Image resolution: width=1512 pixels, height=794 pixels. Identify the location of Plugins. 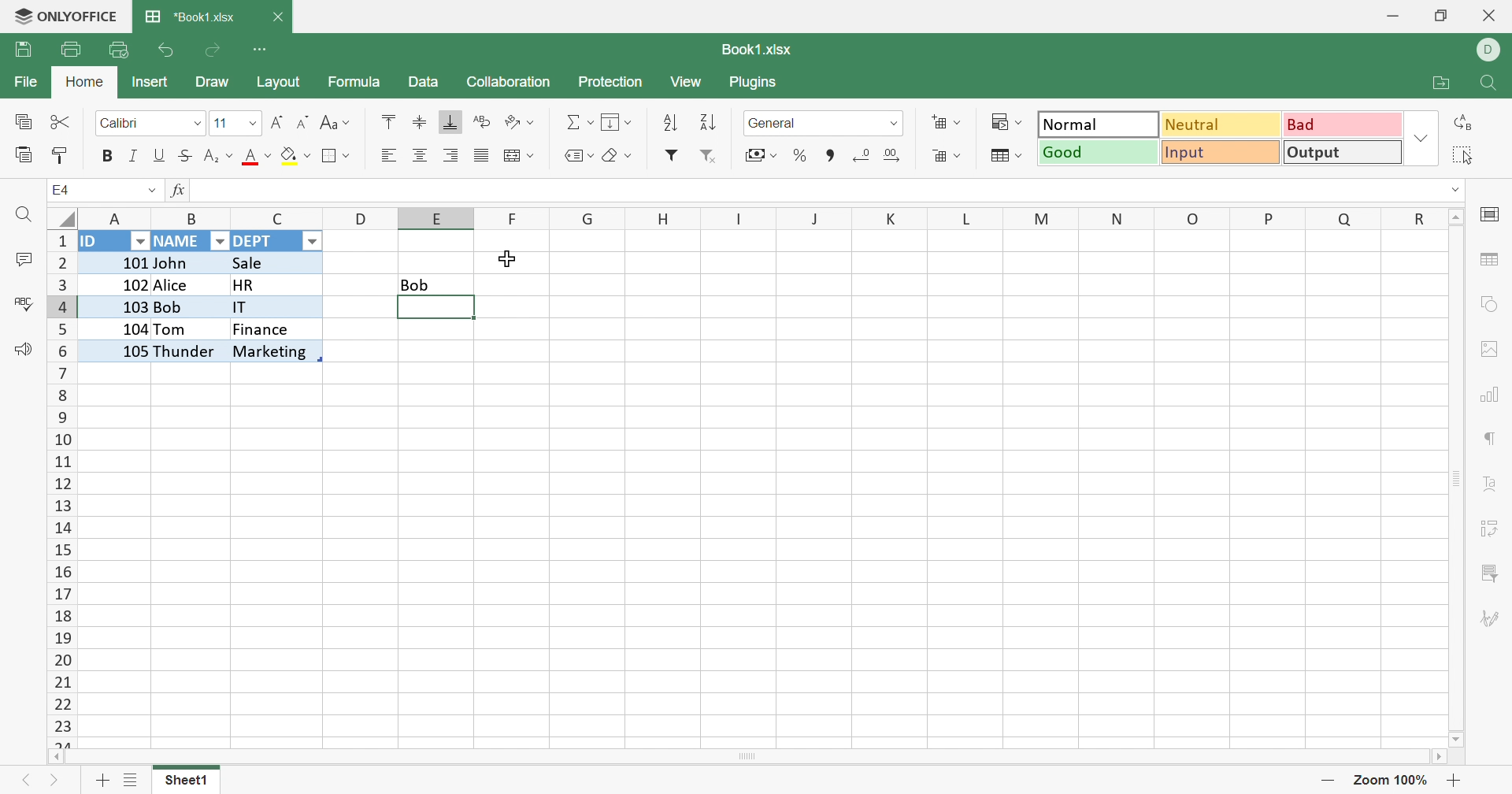
(758, 84).